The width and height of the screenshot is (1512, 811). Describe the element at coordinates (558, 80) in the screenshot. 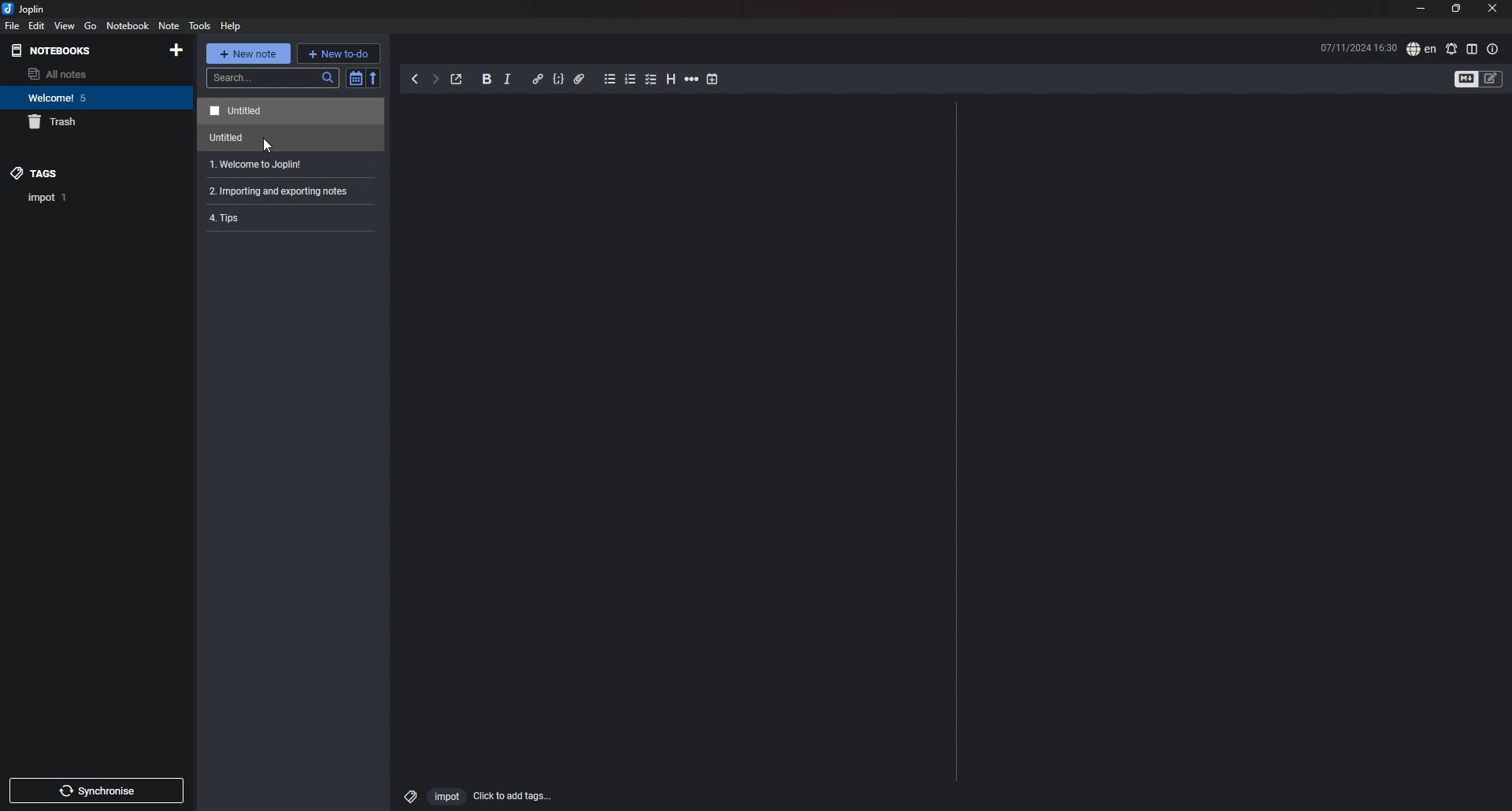

I see `code` at that location.